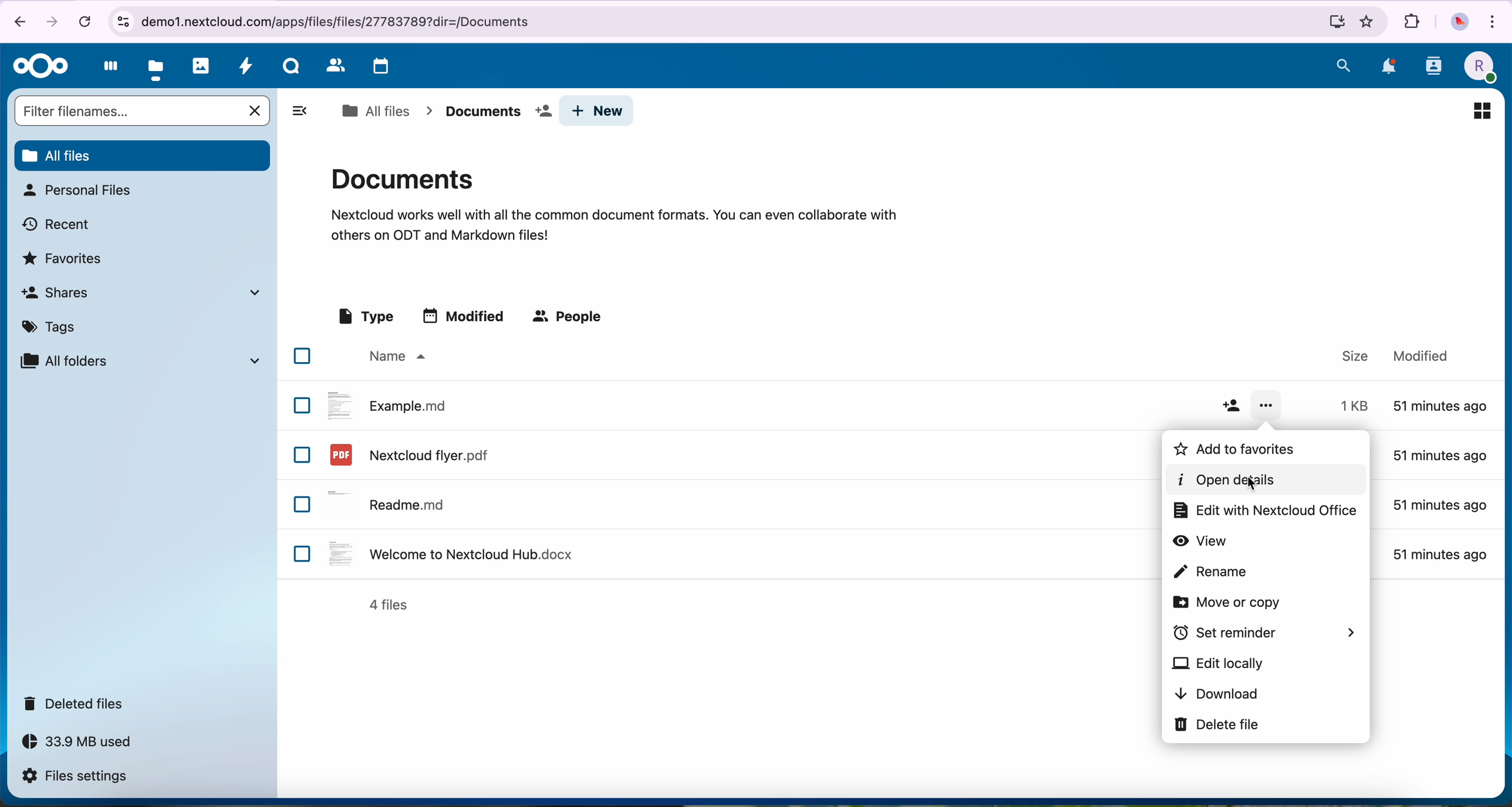  Describe the element at coordinates (1231, 407) in the screenshot. I see `add` at that location.